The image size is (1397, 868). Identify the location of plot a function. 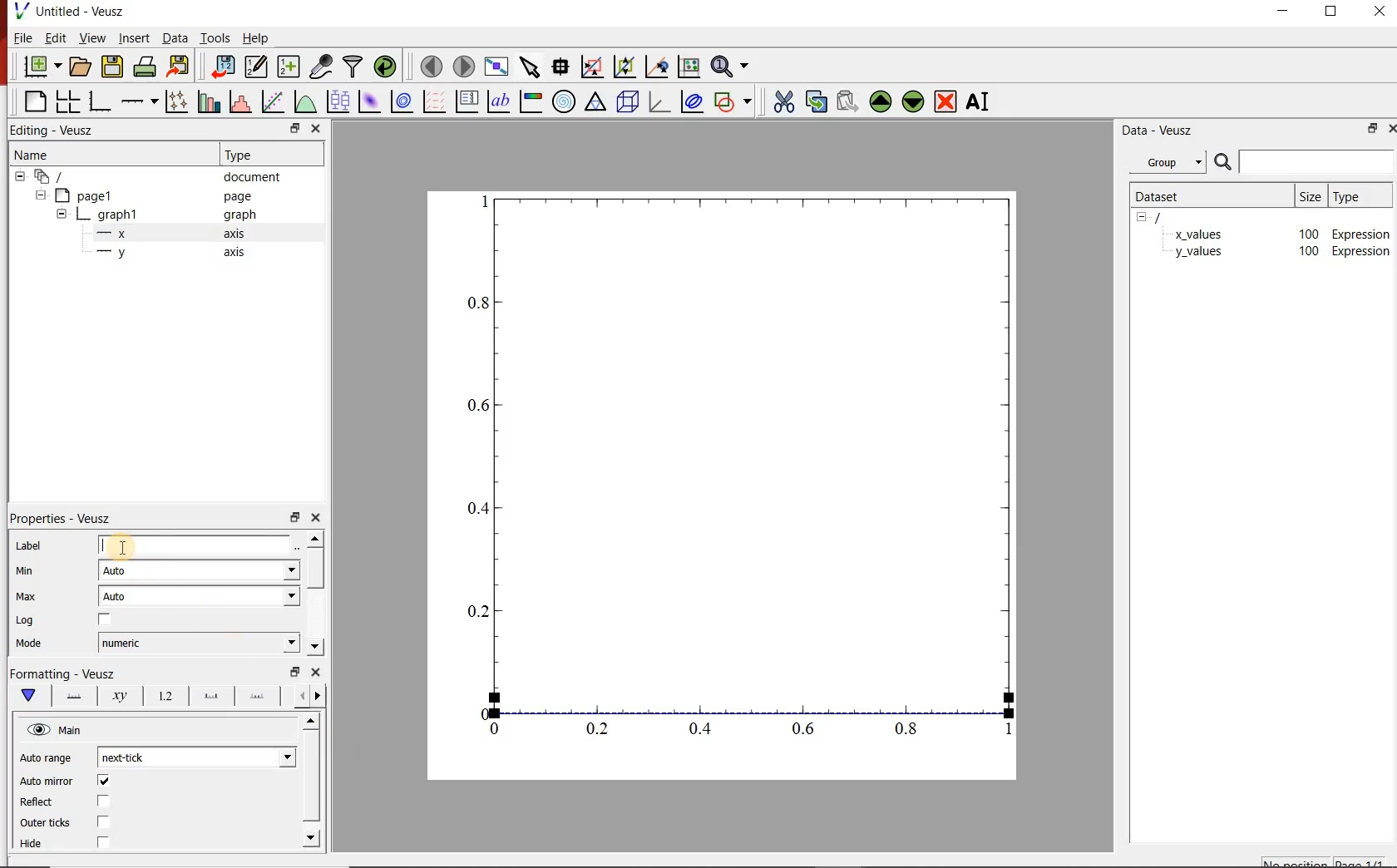
(303, 100).